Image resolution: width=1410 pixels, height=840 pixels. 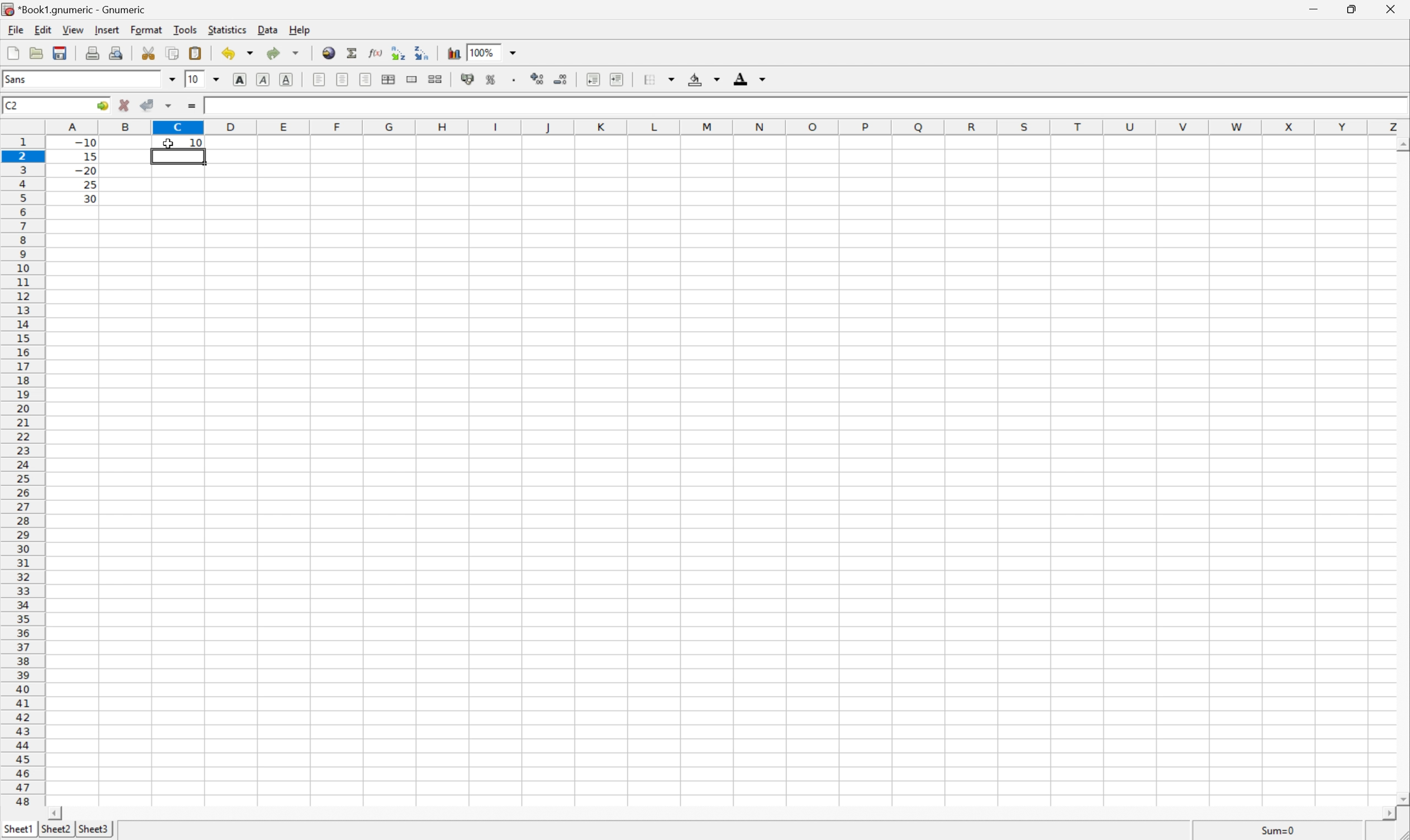 I want to click on Cursor, so click(x=169, y=145).